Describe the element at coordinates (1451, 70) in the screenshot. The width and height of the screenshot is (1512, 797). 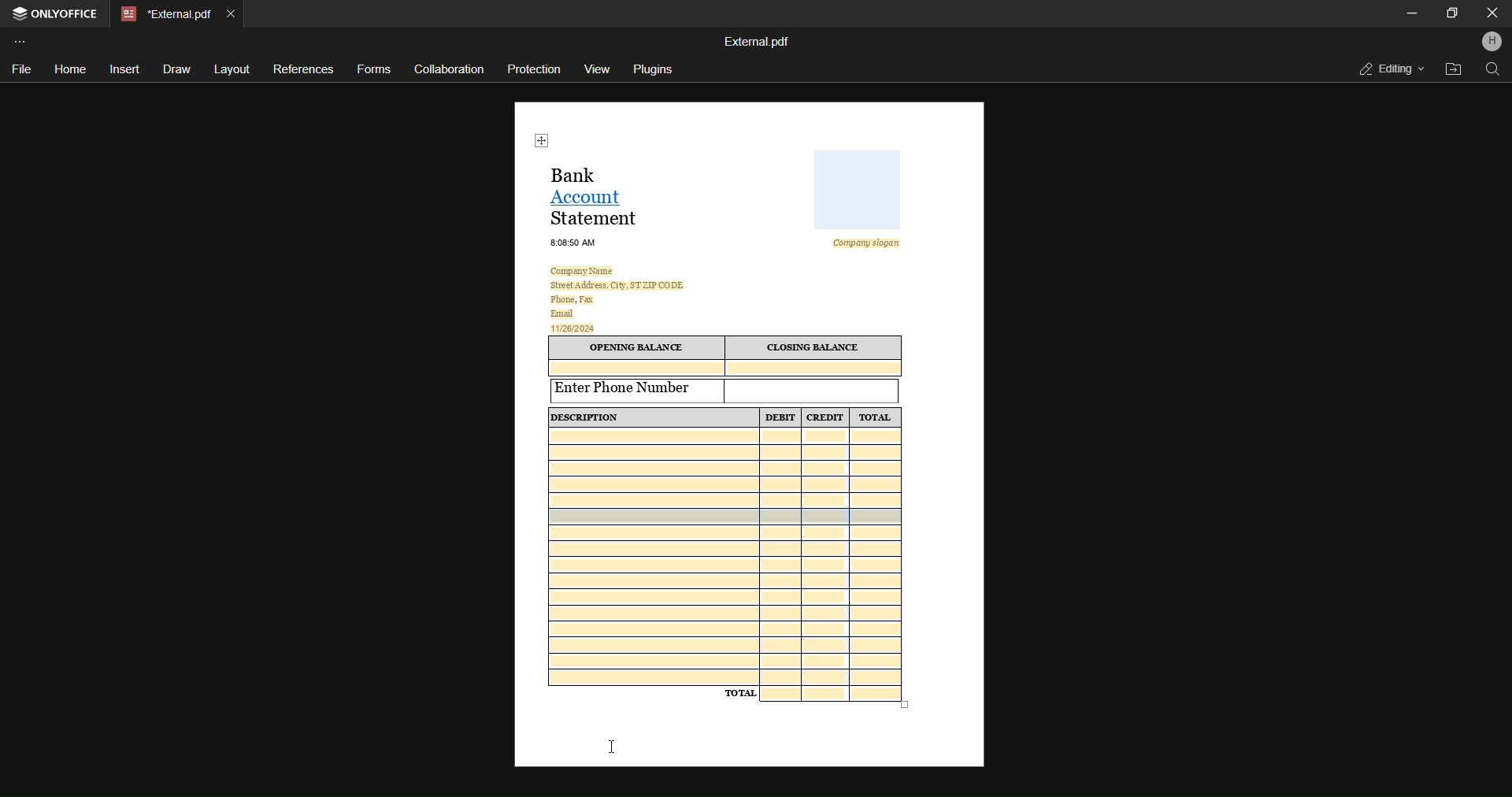
I see `open file location` at that location.